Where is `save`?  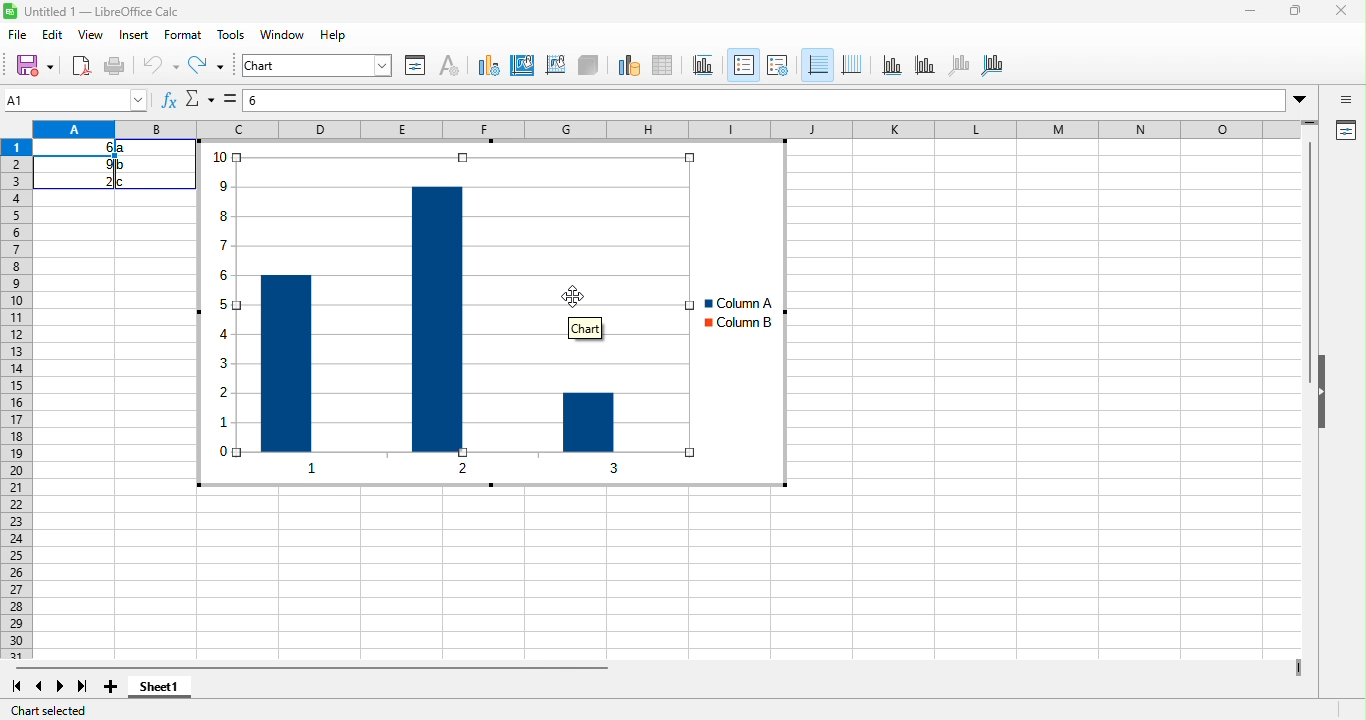
save is located at coordinates (36, 68).